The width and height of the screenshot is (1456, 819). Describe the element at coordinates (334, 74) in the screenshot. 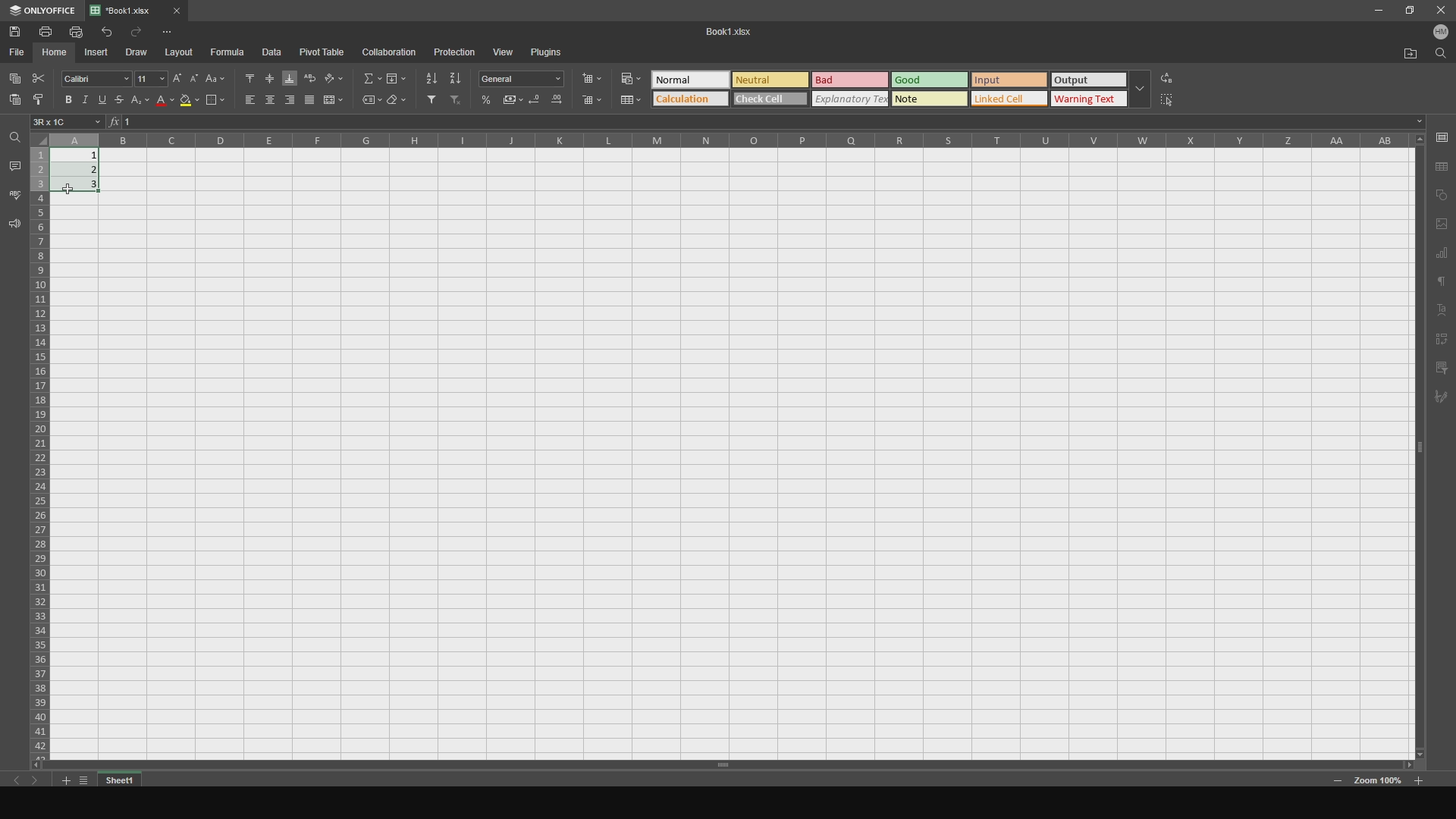

I see `orientation` at that location.